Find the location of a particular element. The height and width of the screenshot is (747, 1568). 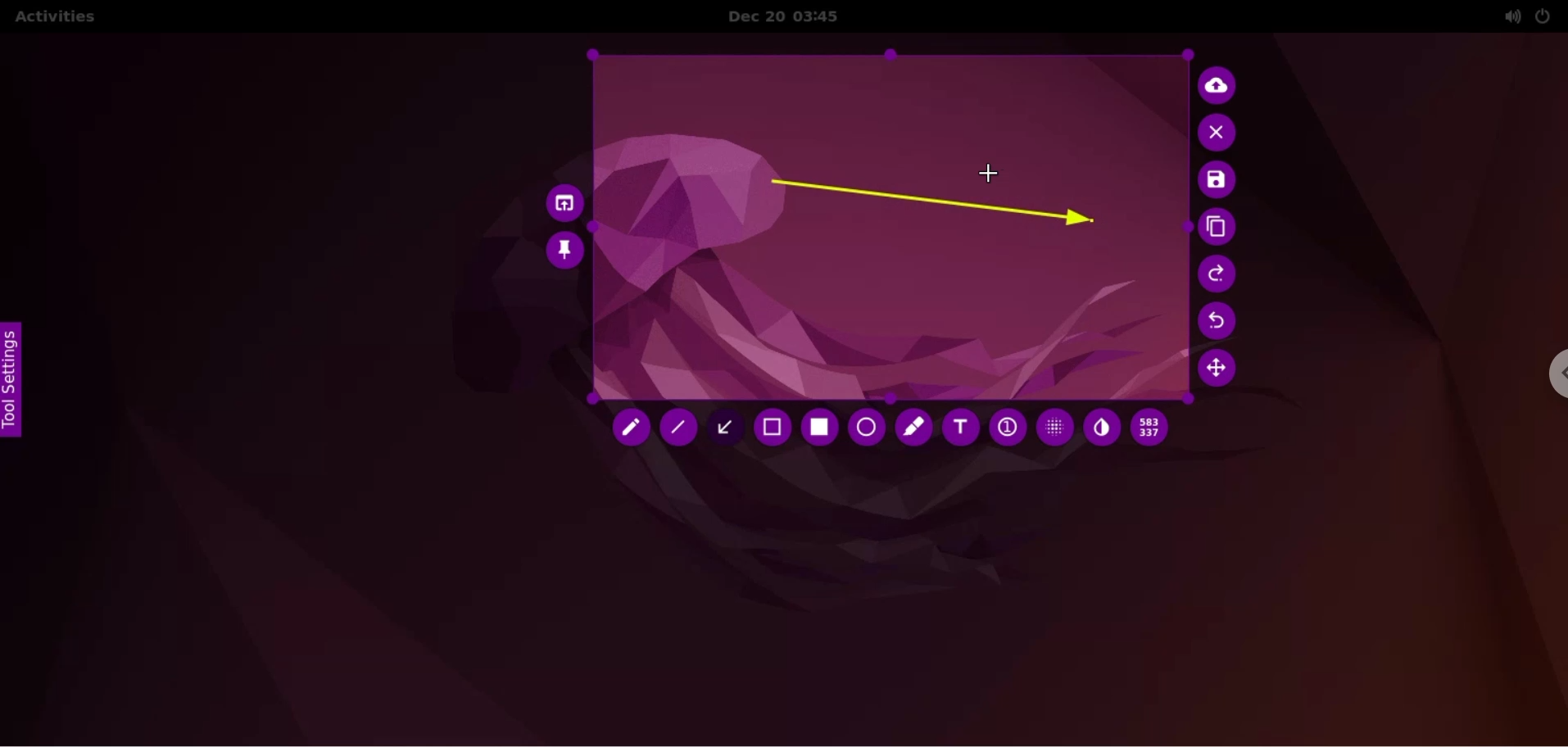

cancel capture is located at coordinates (1220, 134).